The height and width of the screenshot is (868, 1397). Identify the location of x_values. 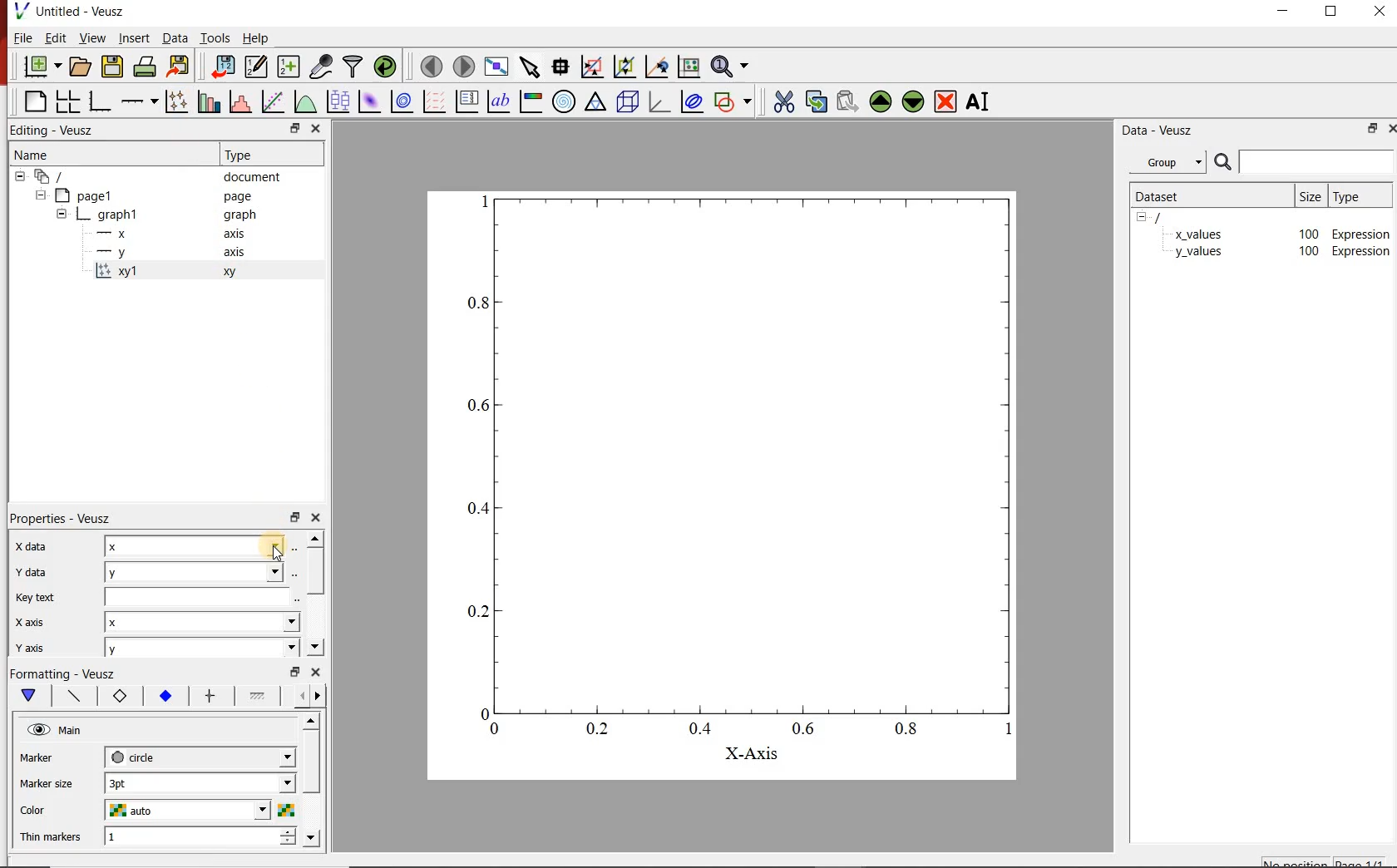
(1198, 233).